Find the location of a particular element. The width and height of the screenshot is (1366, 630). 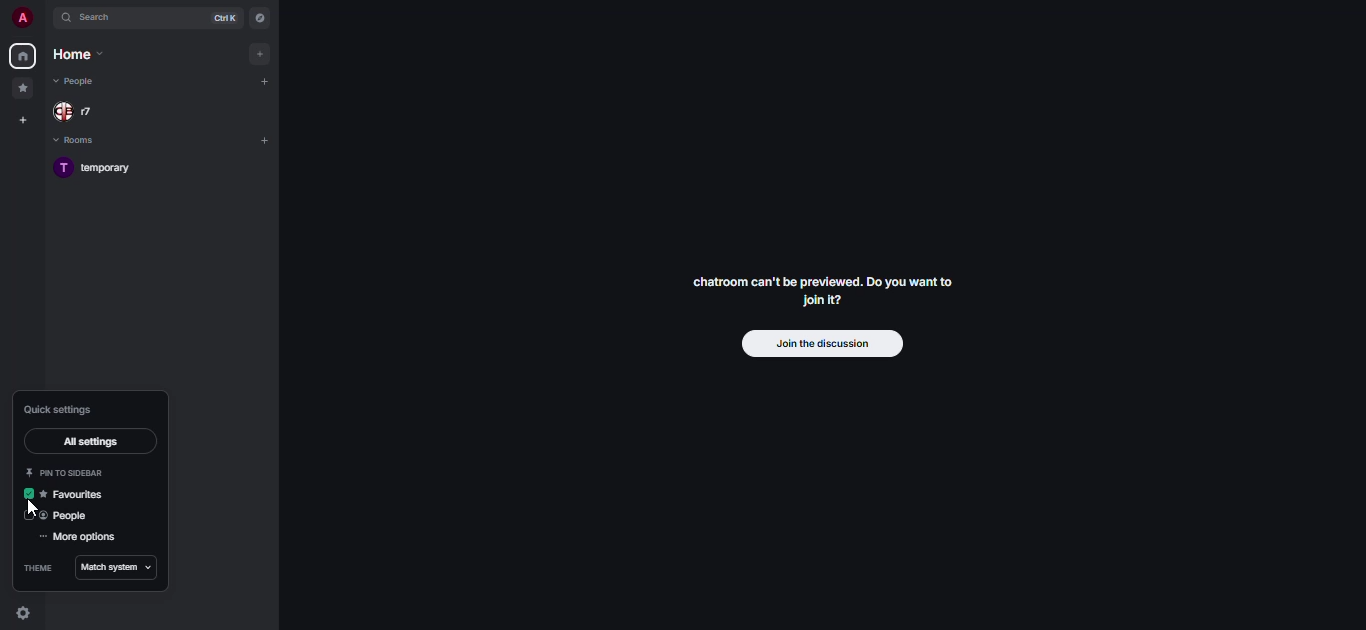

temporary is located at coordinates (98, 169).